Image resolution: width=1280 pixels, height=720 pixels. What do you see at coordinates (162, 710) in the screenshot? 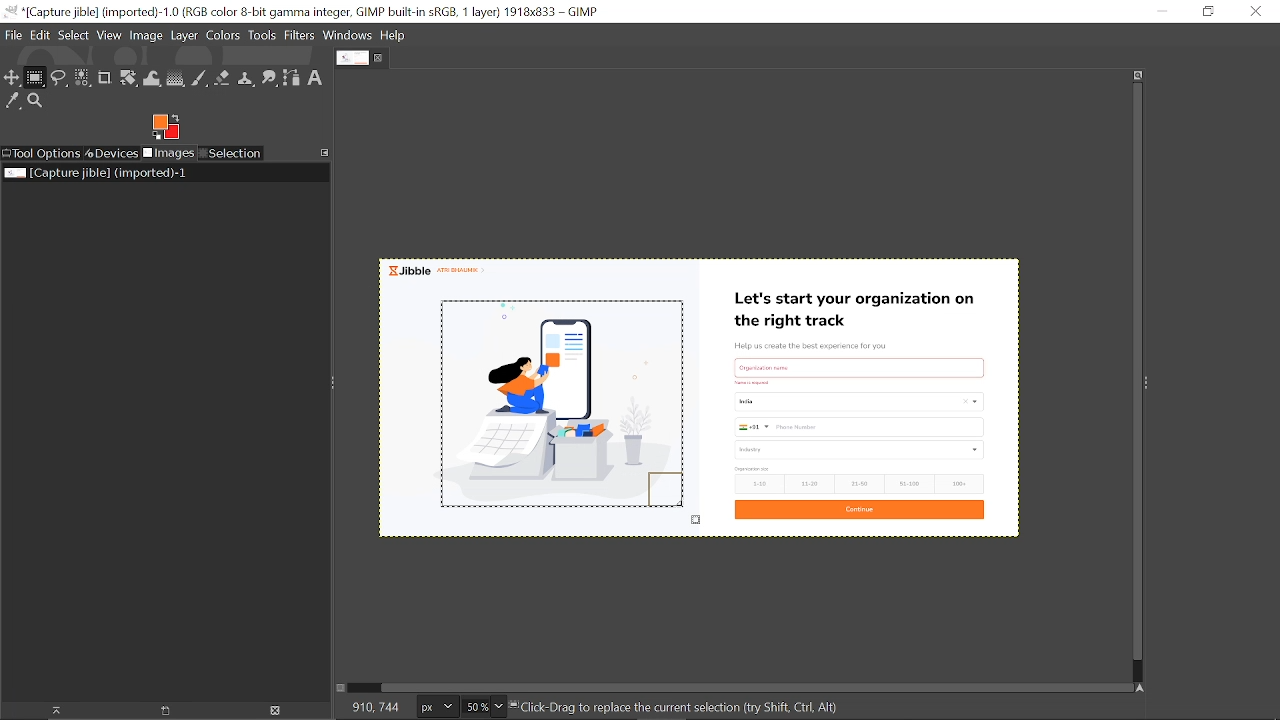
I see `Create new display for this image` at bounding box center [162, 710].